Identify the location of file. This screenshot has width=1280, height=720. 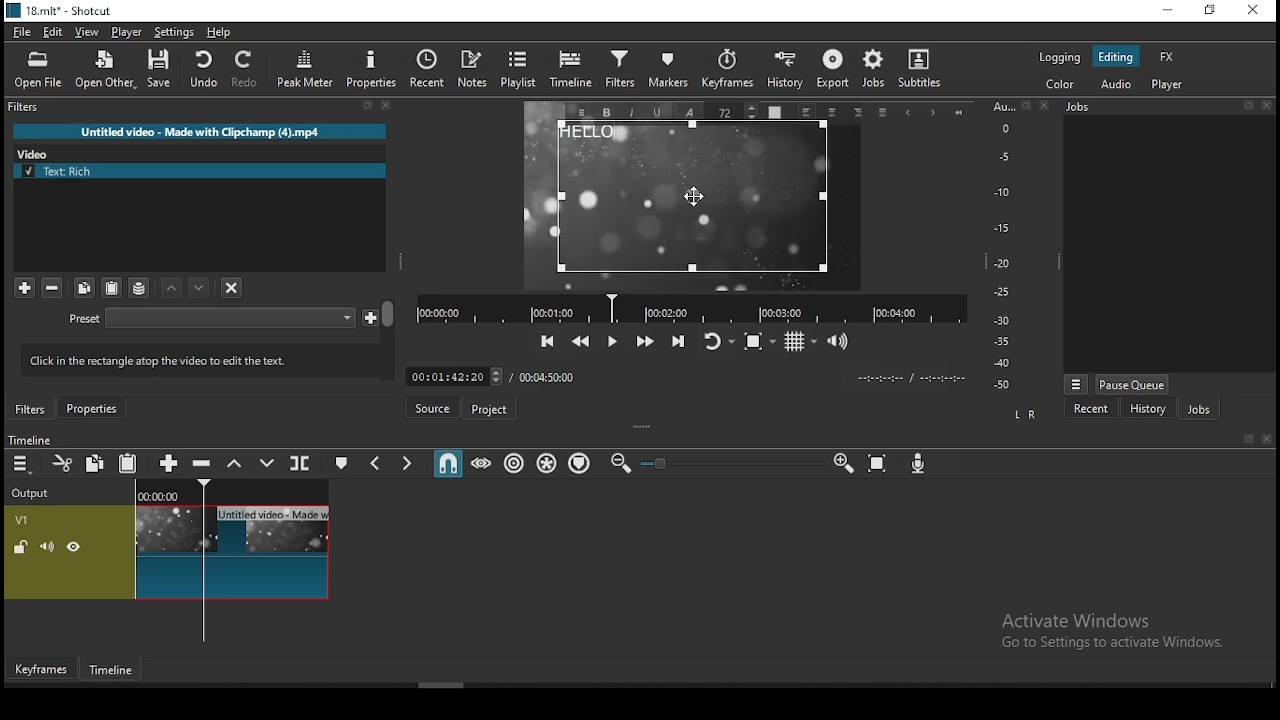
(22, 33).